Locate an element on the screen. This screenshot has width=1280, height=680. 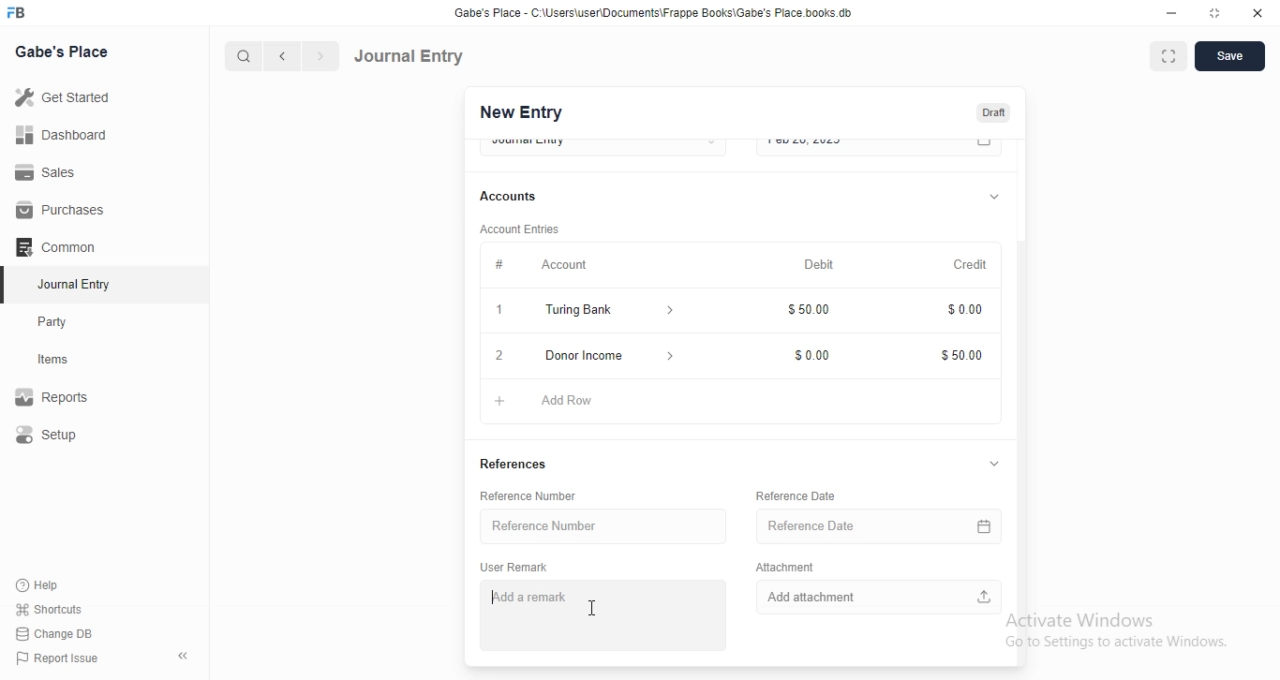
Reference Date is located at coordinates (796, 495).